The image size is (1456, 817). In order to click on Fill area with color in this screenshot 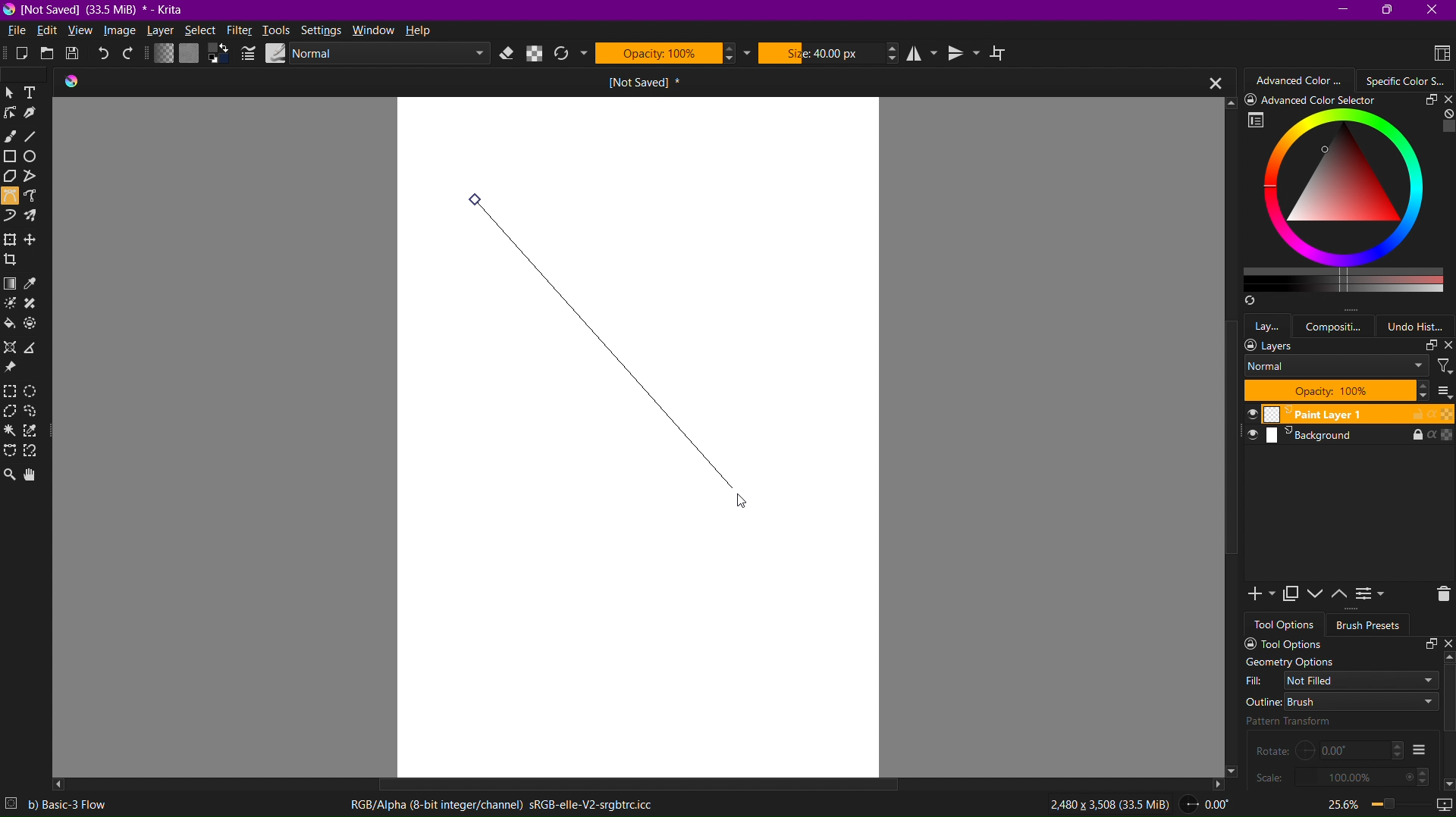, I will do `click(11, 324)`.